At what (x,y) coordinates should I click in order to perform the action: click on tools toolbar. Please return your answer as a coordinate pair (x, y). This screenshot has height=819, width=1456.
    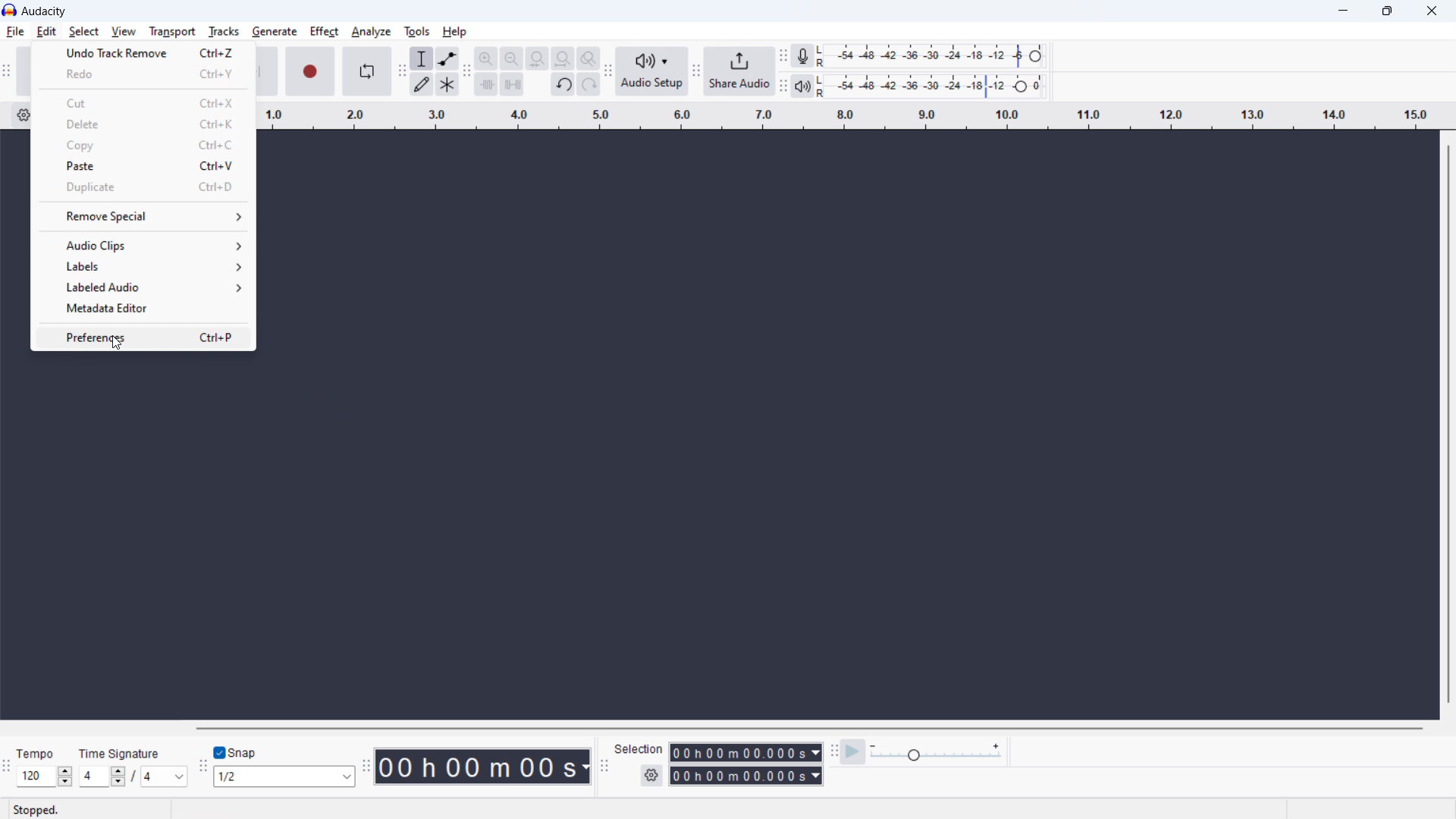
    Looking at the image, I should click on (402, 71).